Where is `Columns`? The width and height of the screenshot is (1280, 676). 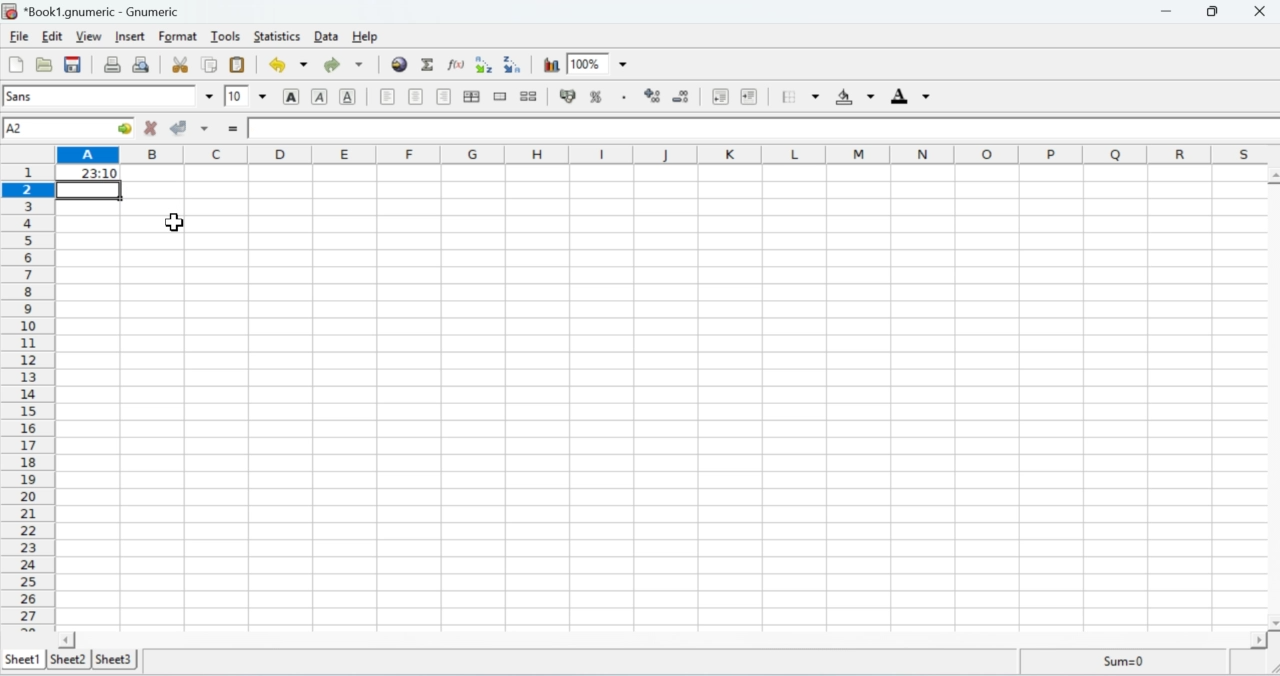 Columns is located at coordinates (668, 154).